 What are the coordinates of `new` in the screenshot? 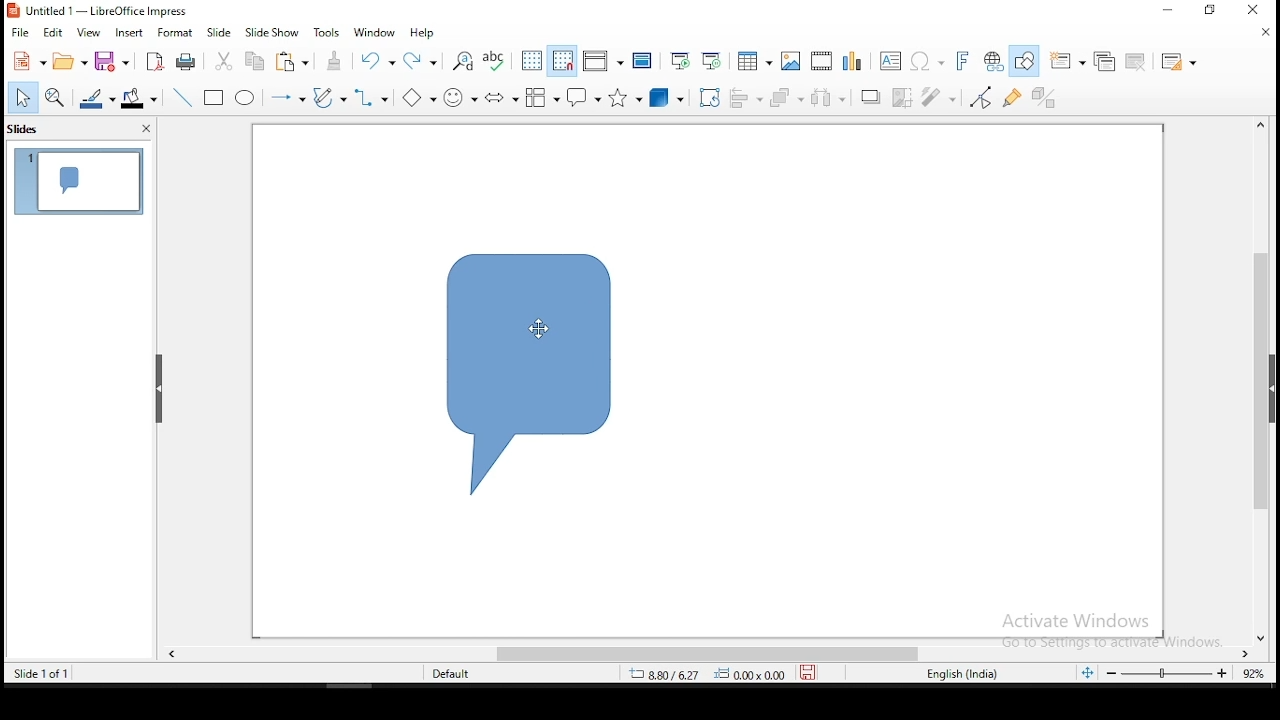 It's located at (27, 60).